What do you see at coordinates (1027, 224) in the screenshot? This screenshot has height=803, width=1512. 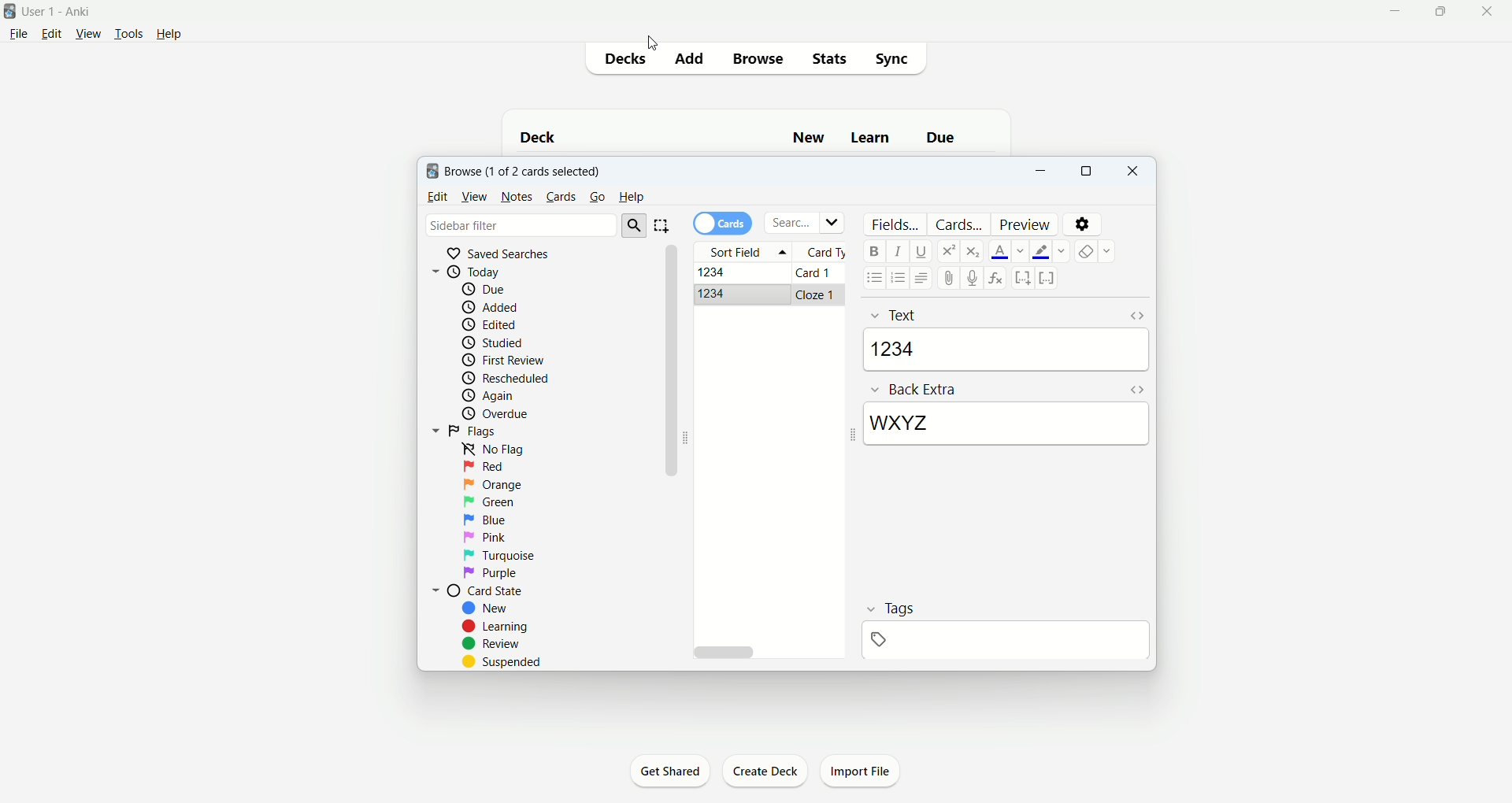 I see `preview` at bounding box center [1027, 224].